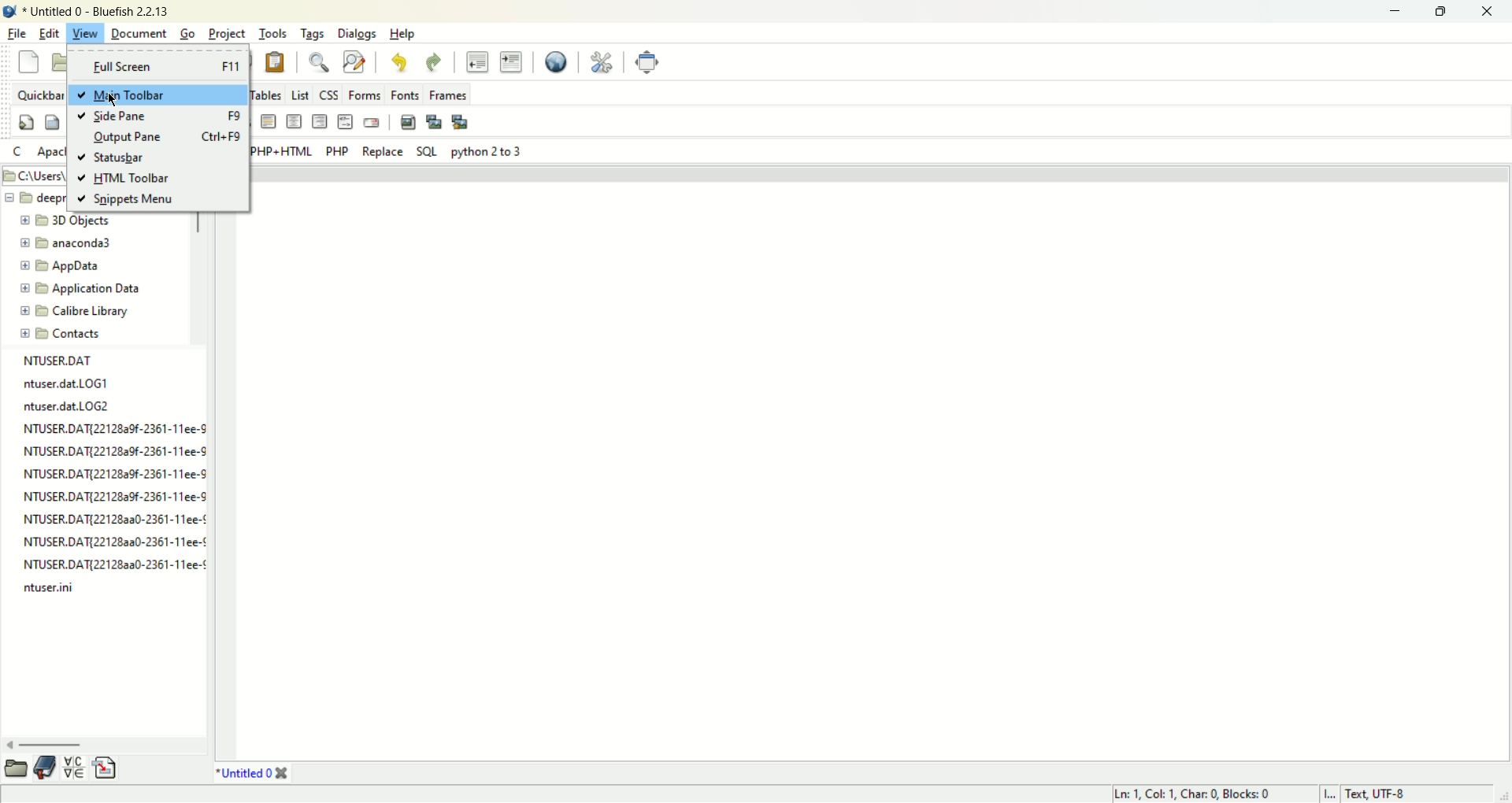 The image size is (1512, 803). Describe the element at coordinates (426, 150) in the screenshot. I see `SQL` at that location.